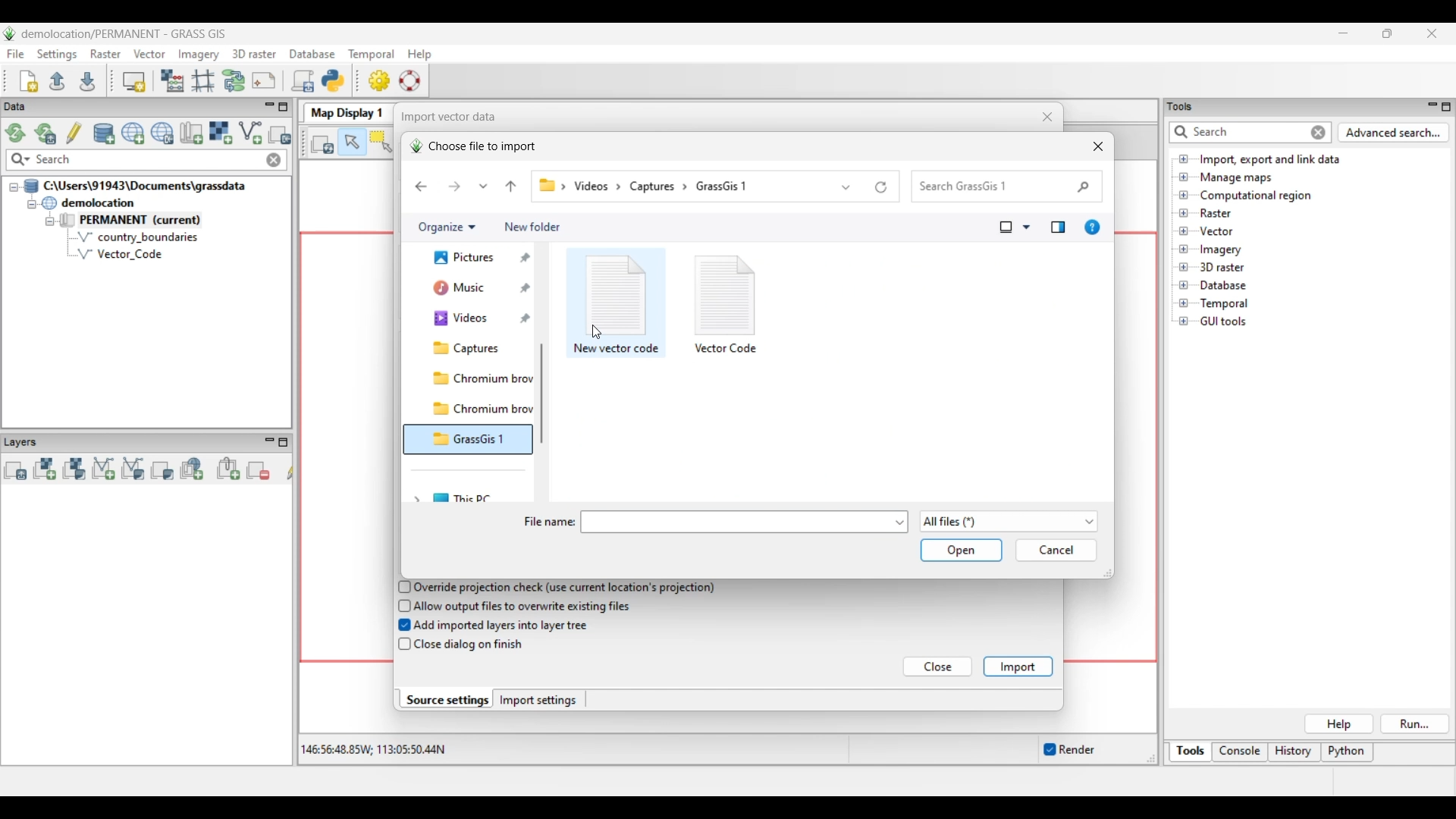  Describe the element at coordinates (1018, 667) in the screenshot. I see `Import` at that location.